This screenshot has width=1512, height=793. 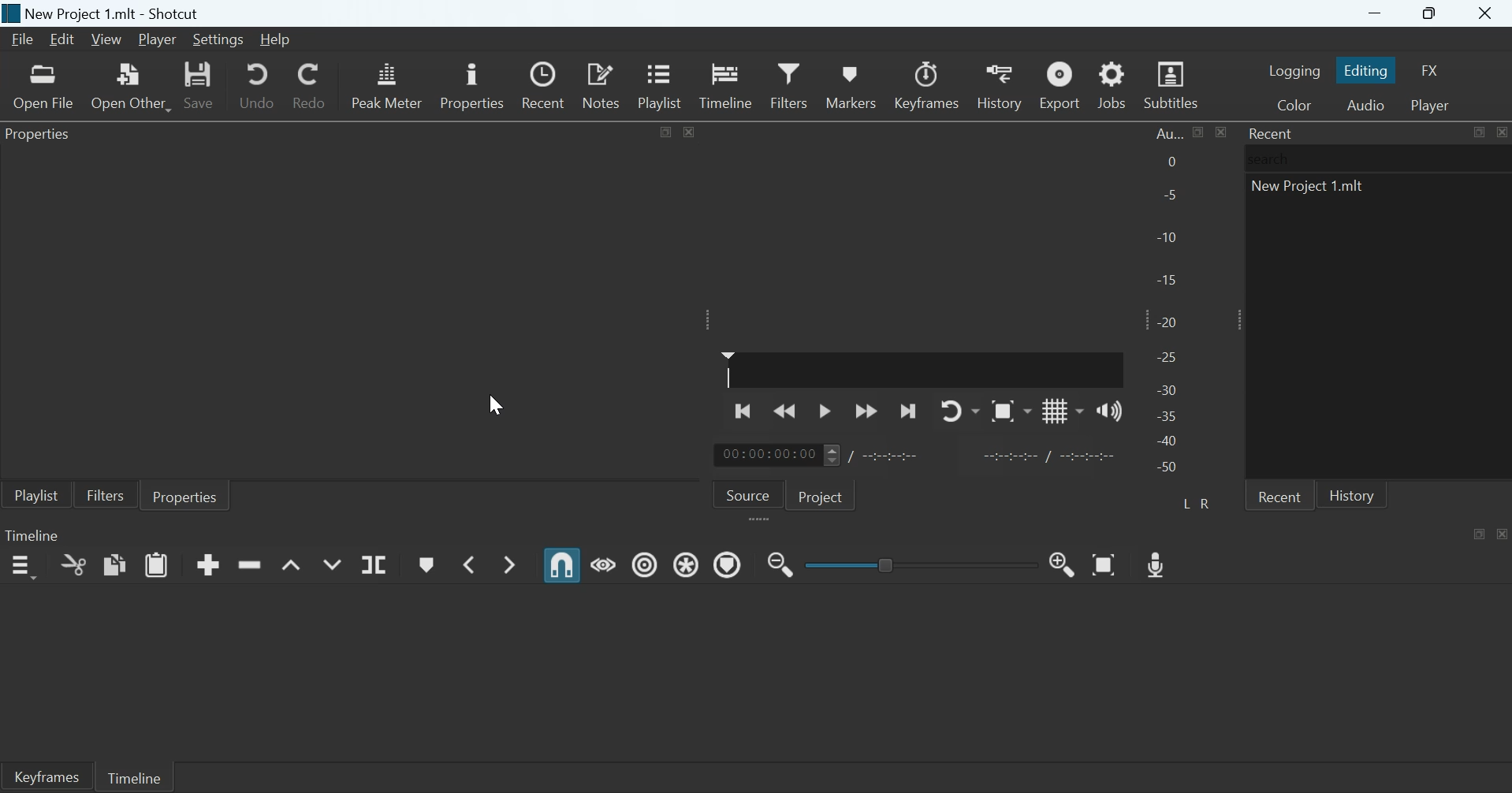 I want to click on Left, so click(x=1188, y=502).